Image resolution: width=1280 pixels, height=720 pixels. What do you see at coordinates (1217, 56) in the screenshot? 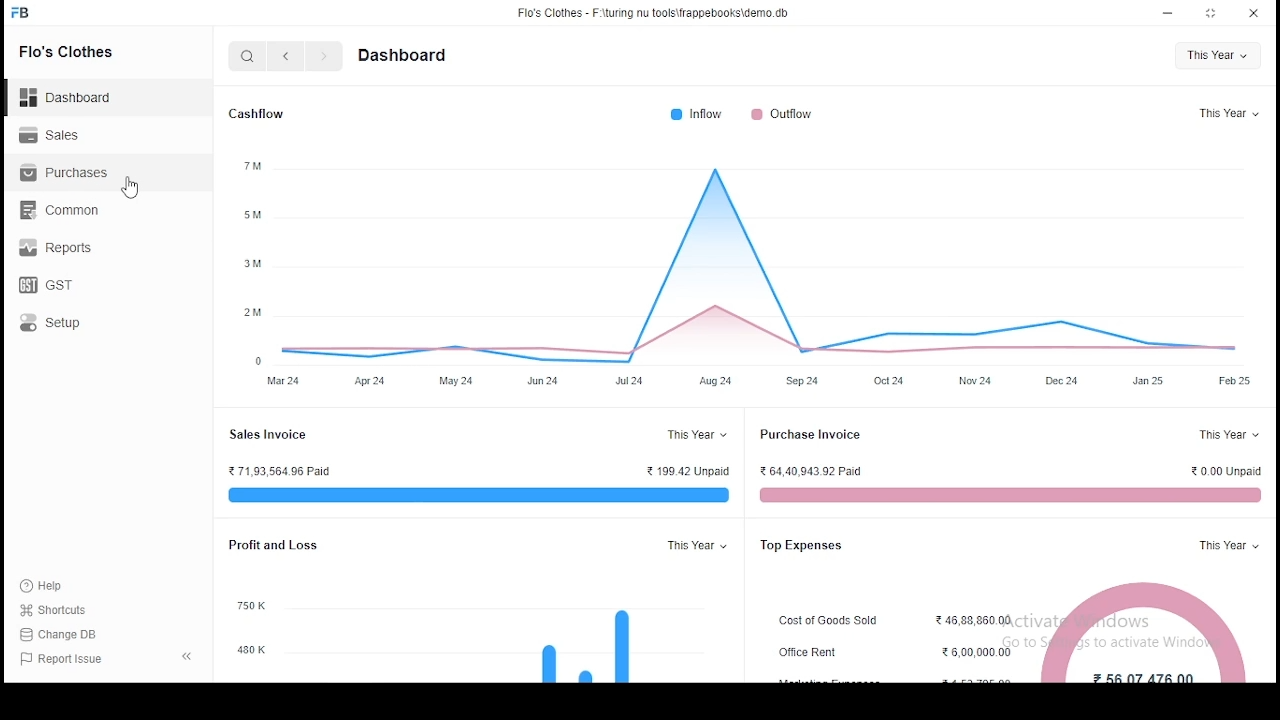
I see `this year` at bounding box center [1217, 56].